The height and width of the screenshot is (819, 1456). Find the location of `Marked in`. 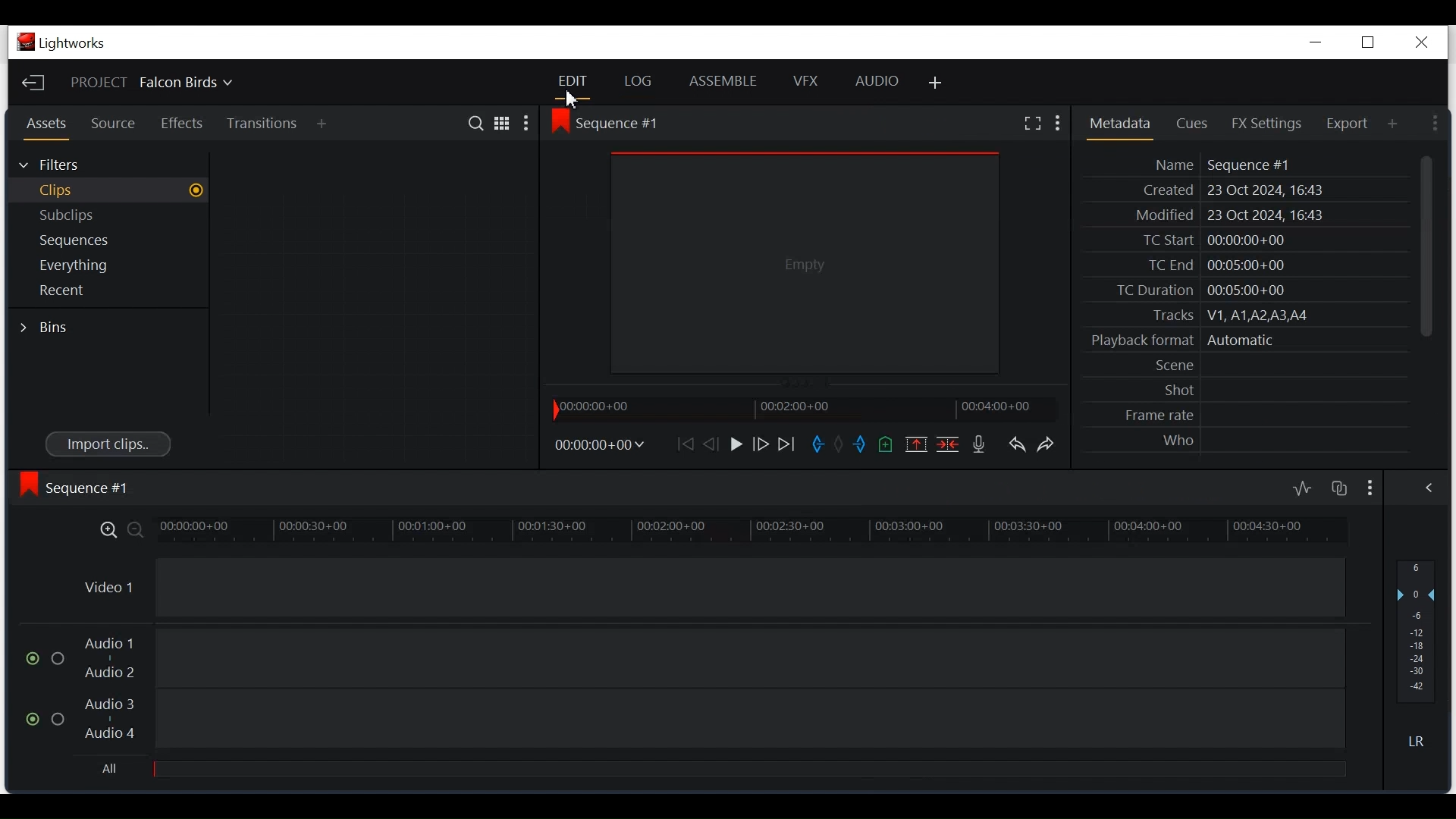

Marked in is located at coordinates (817, 445).